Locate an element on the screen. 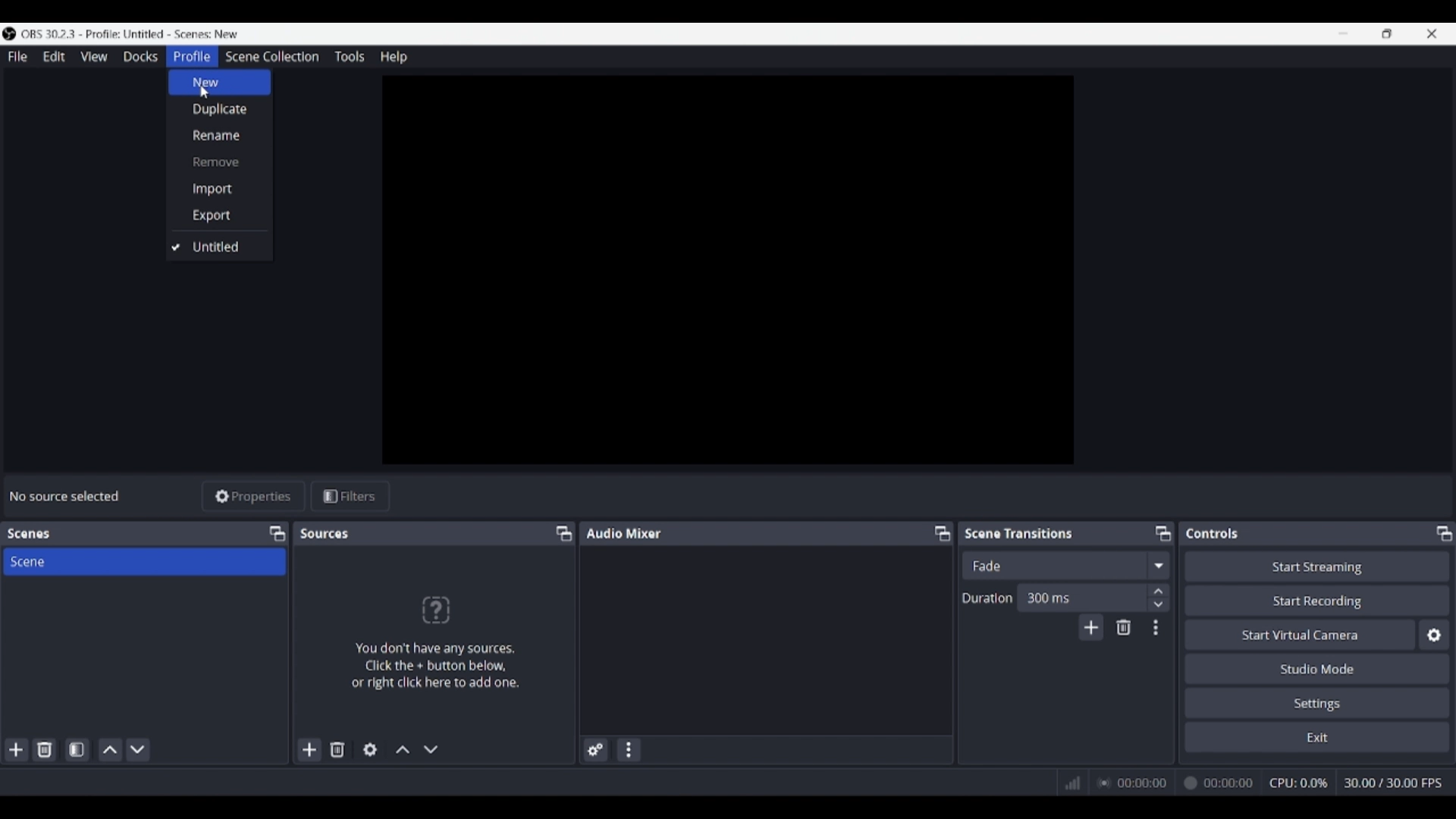 The width and height of the screenshot is (1456, 819). CPU is located at coordinates (1299, 783).